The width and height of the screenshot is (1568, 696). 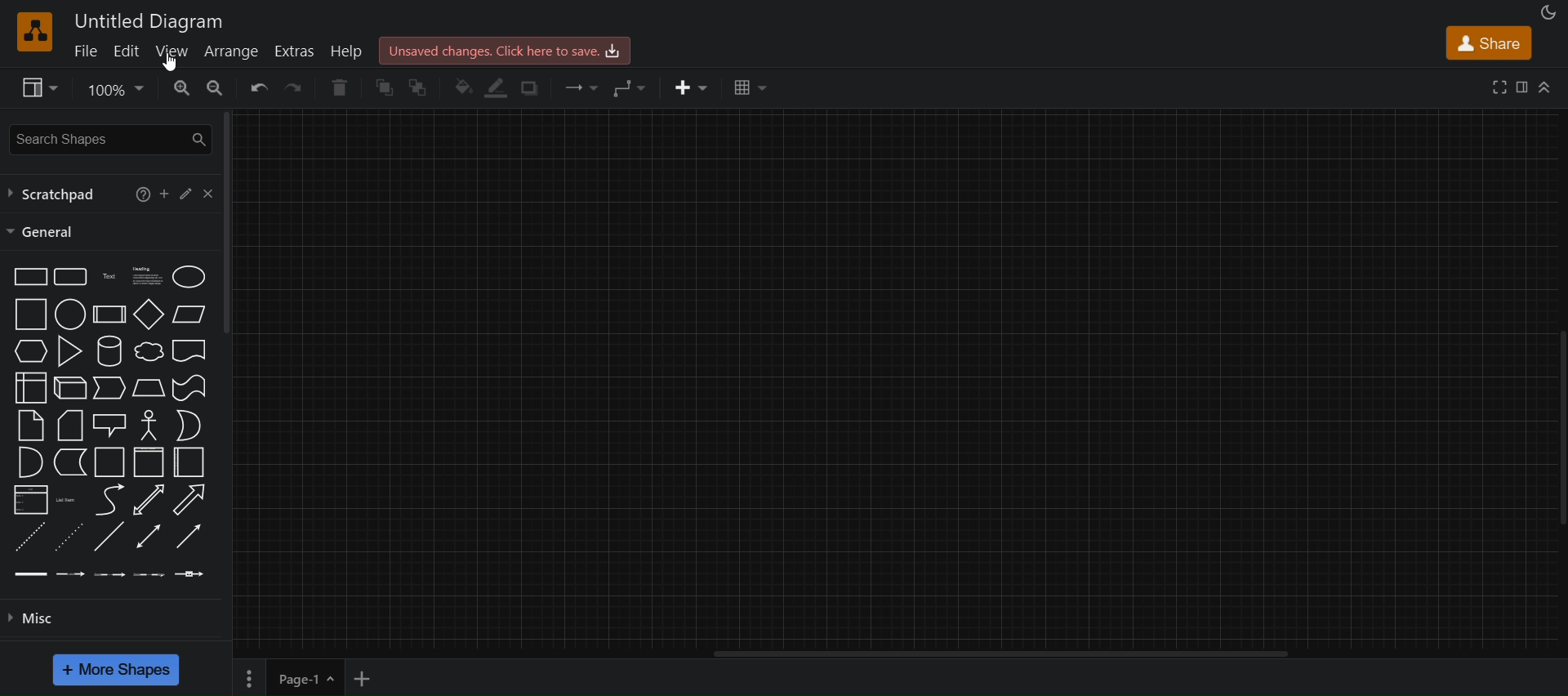 I want to click on search shapes, so click(x=108, y=140).